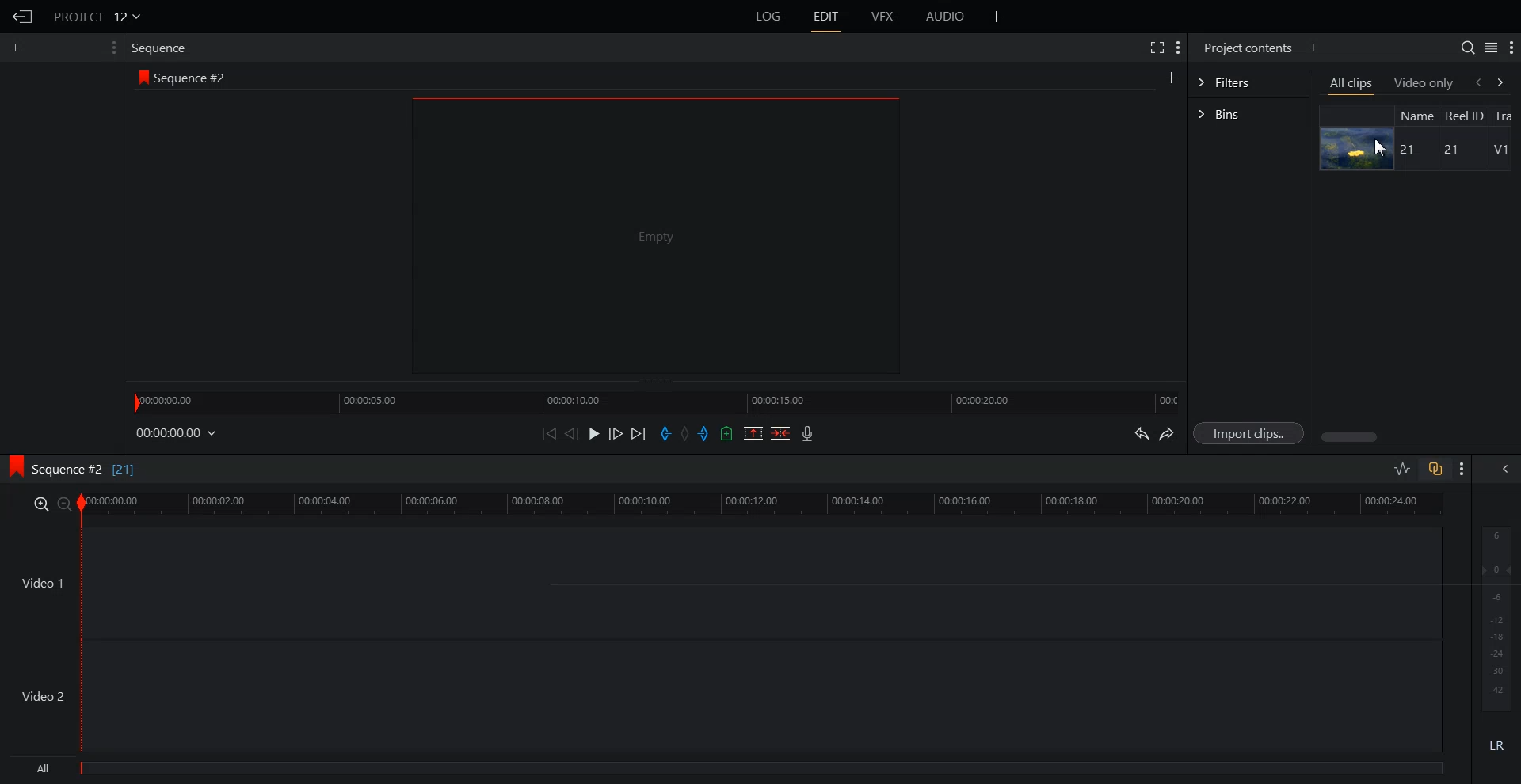 This screenshot has width=1521, height=784. Describe the element at coordinates (753, 433) in the screenshot. I see `Remove the mark section` at that location.